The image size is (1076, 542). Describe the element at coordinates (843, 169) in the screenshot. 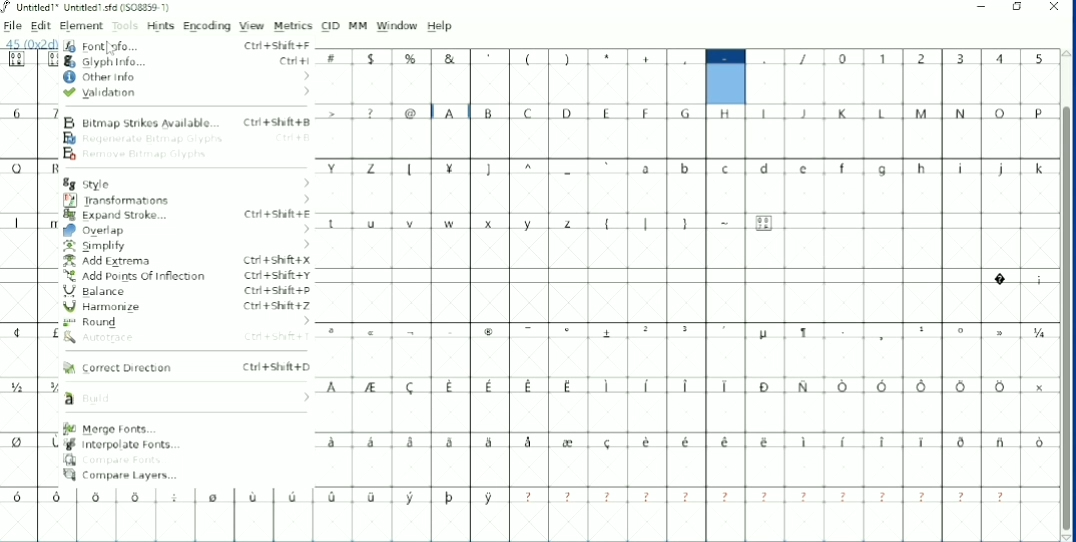

I see `Small letters` at that location.